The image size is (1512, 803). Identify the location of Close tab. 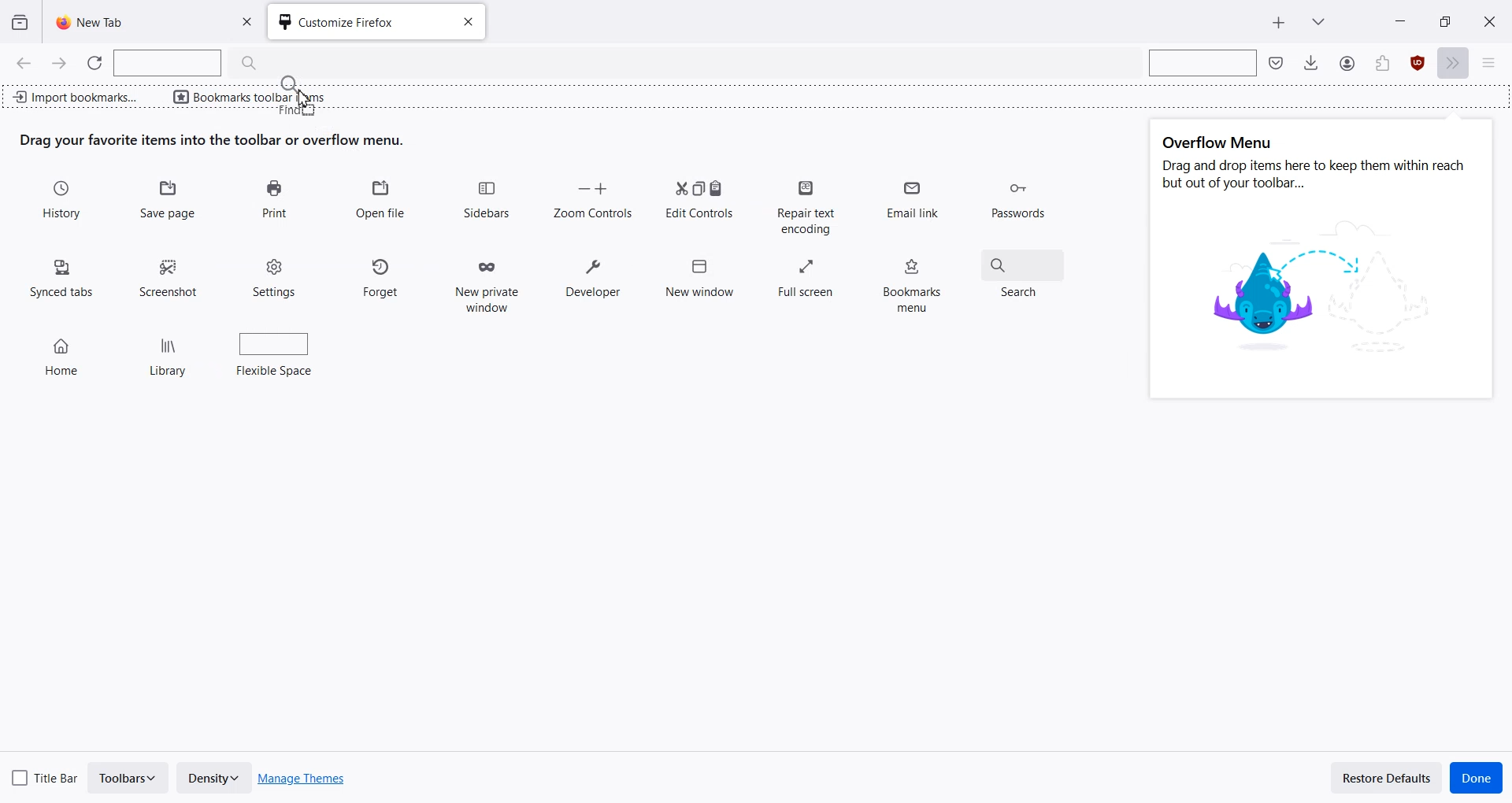
(466, 22).